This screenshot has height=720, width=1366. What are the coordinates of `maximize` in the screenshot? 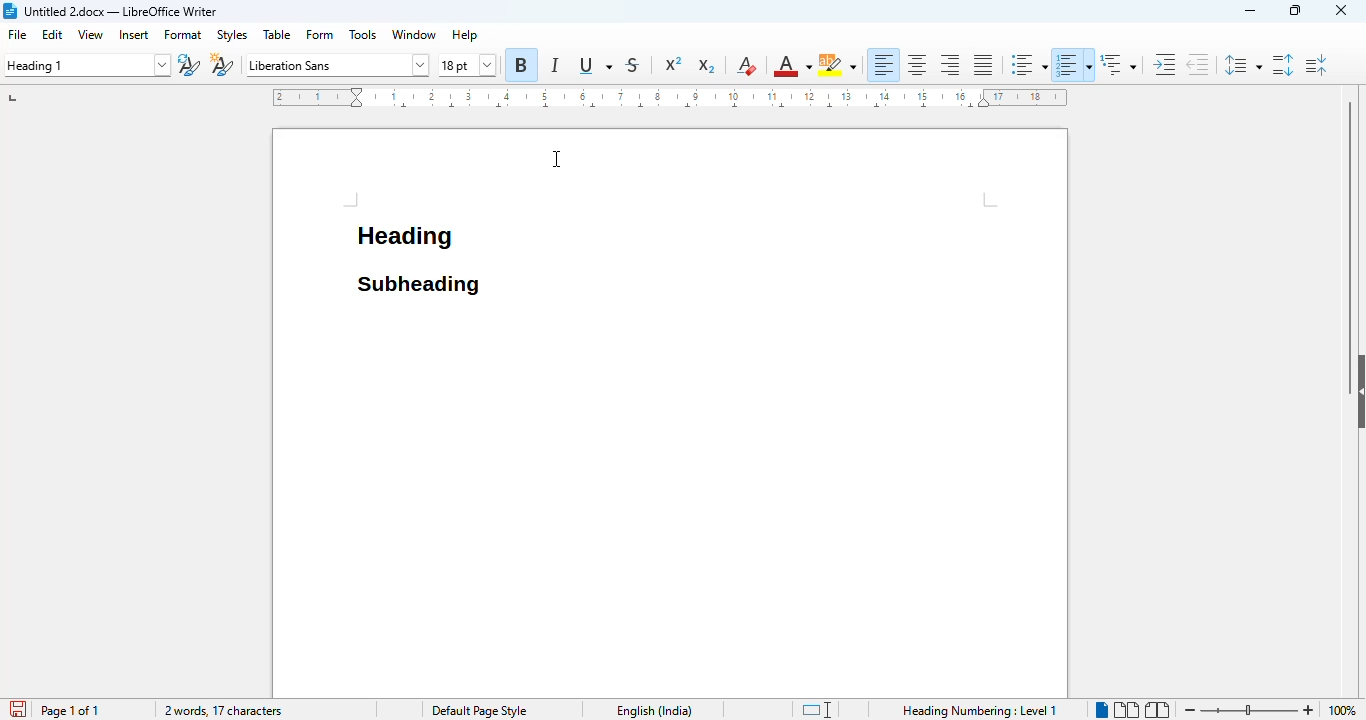 It's located at (1295, 10).